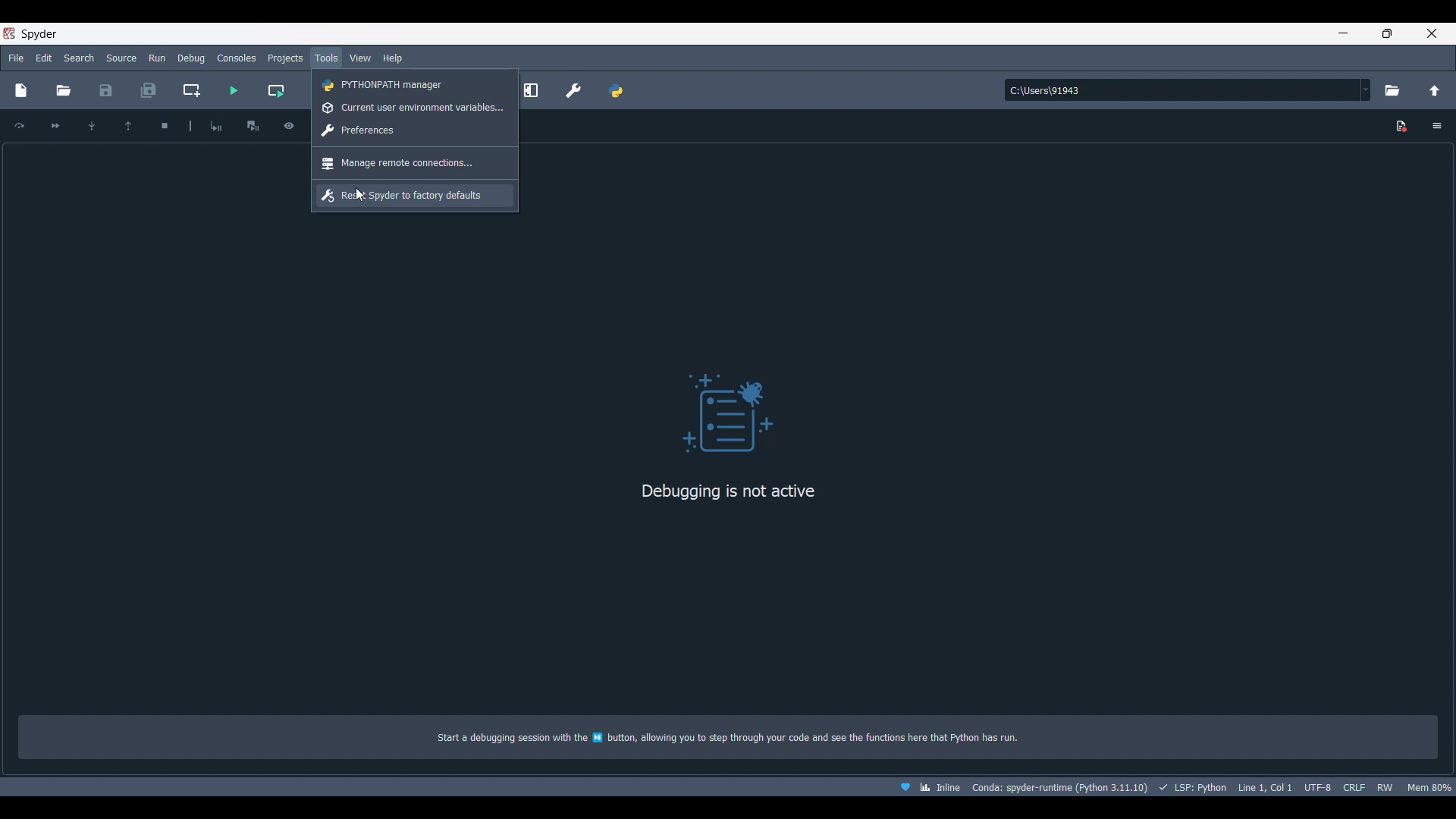  What do you see at coordinates (237, 58) in the screenshot?
I see `Consoles menu` at bounding box center [237, 58].